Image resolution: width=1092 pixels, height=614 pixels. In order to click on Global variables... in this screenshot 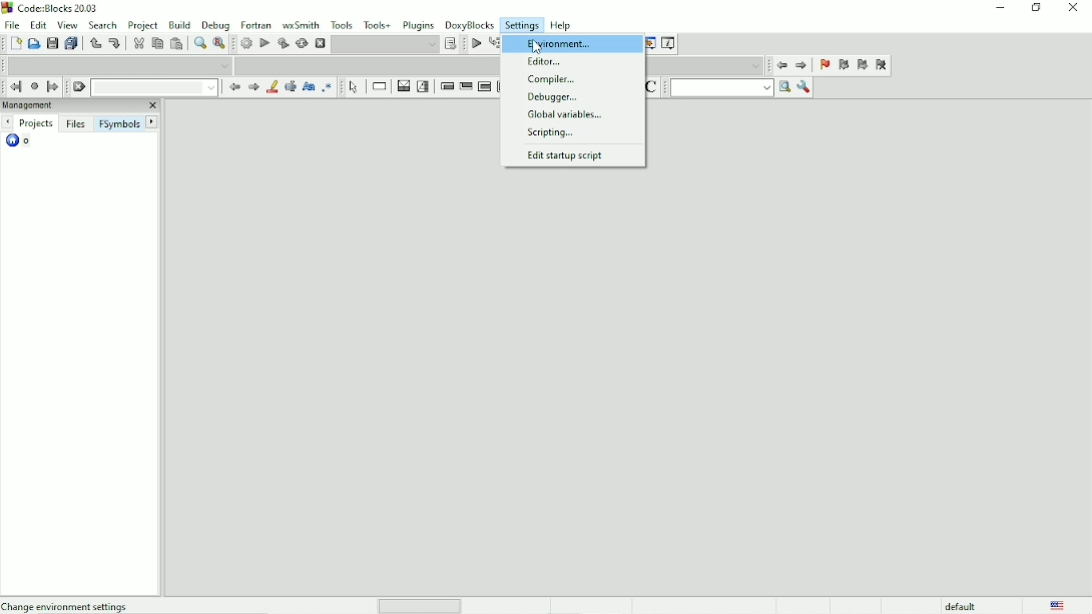, I will do `click(560, 114)`.